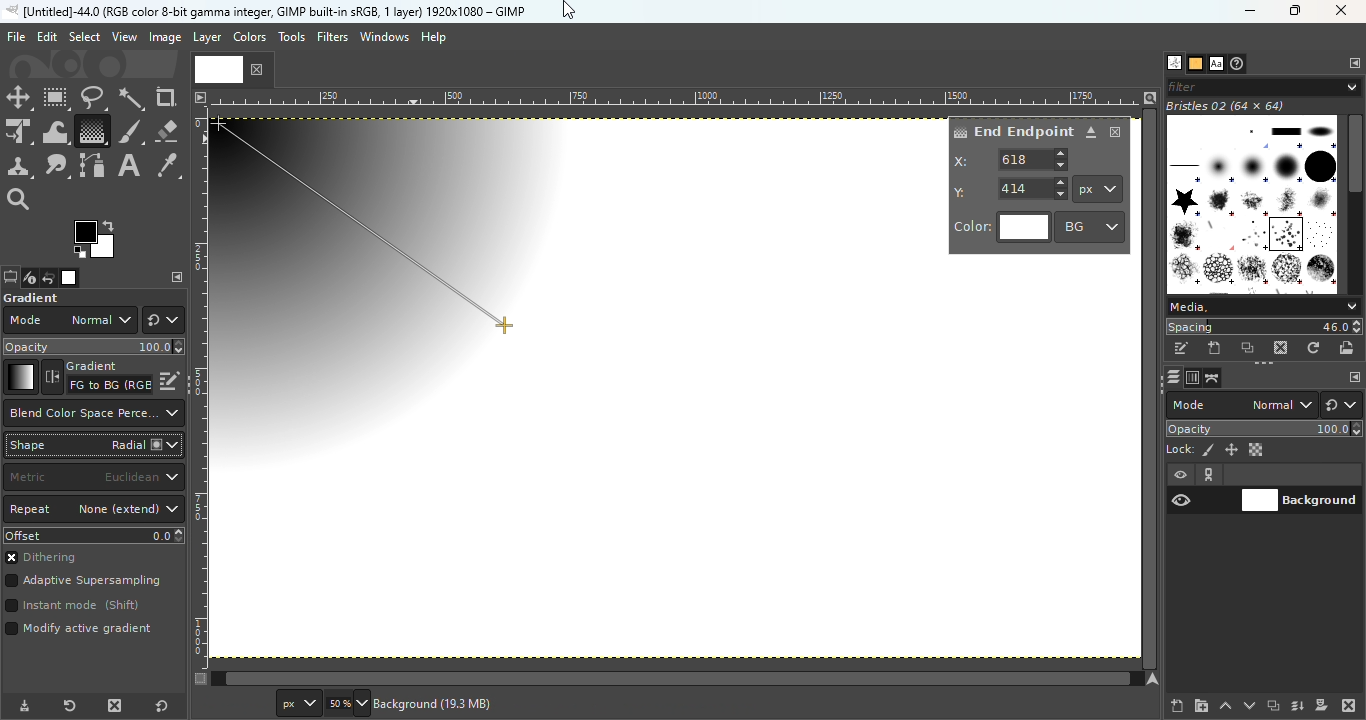 The height and width of the screenshot is (720, 1366). I want to click on open the fonts tab, so click(1216, 64).